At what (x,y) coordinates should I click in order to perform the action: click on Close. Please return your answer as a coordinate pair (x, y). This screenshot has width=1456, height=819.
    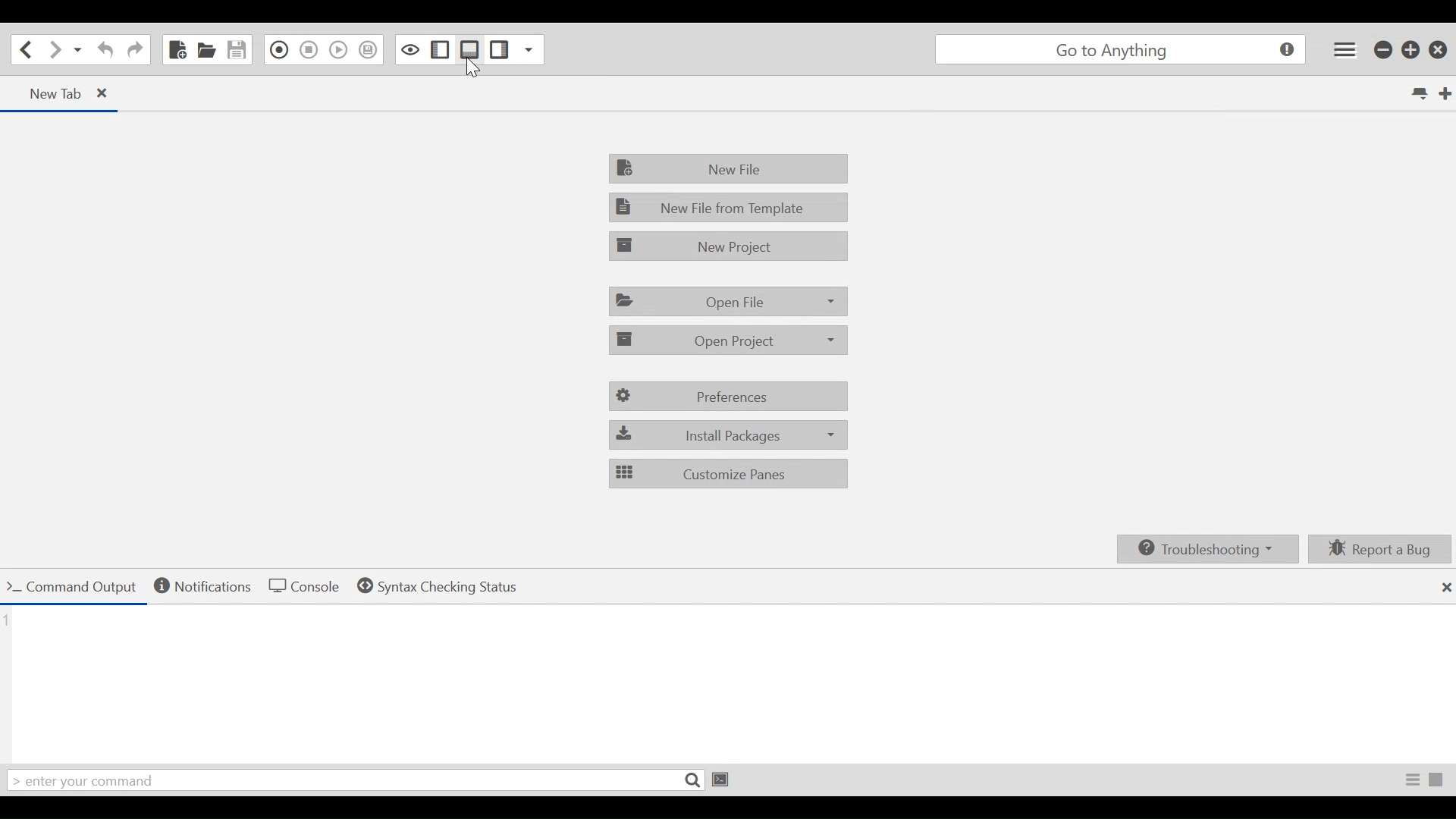
    Looking at the image, I should click on (1437, 50).